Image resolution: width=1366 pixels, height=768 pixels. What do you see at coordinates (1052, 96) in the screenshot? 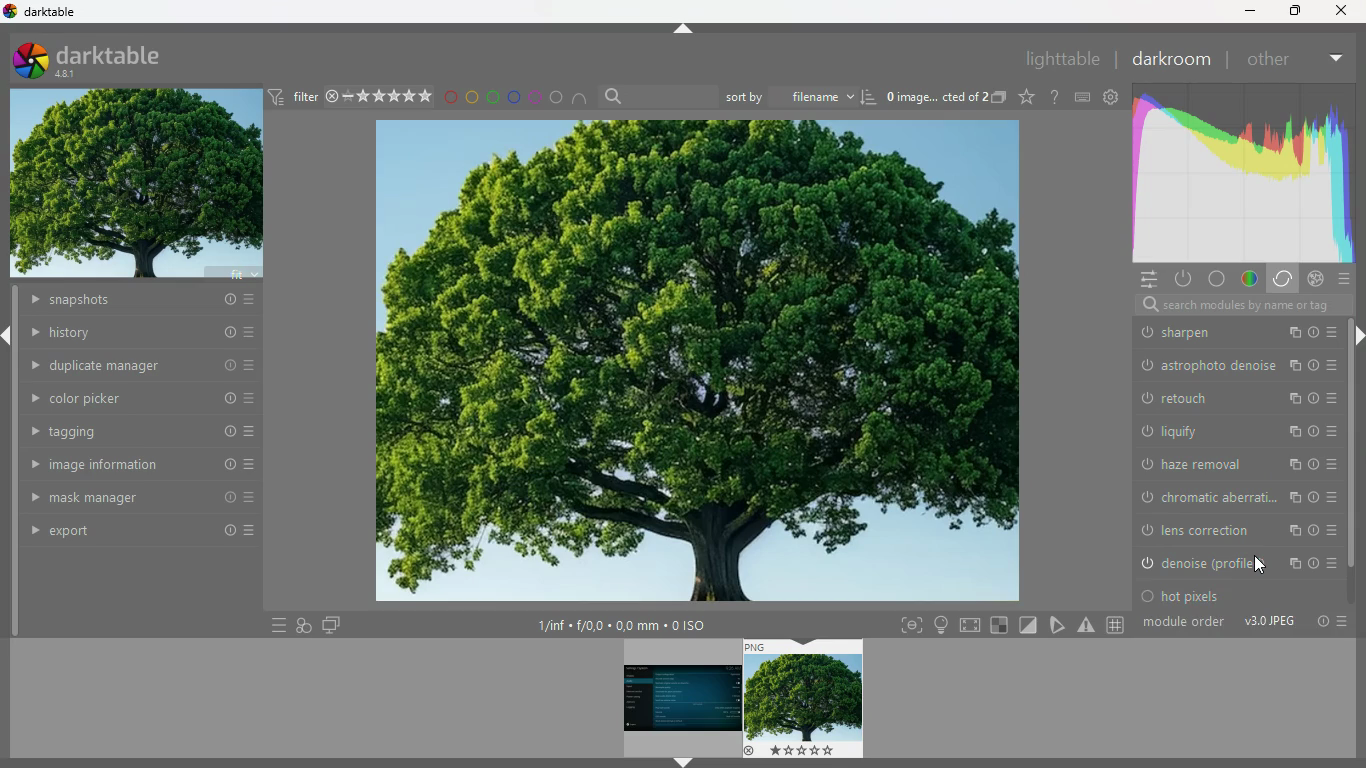
I see `doubt` at bounding box center [1052, 96].